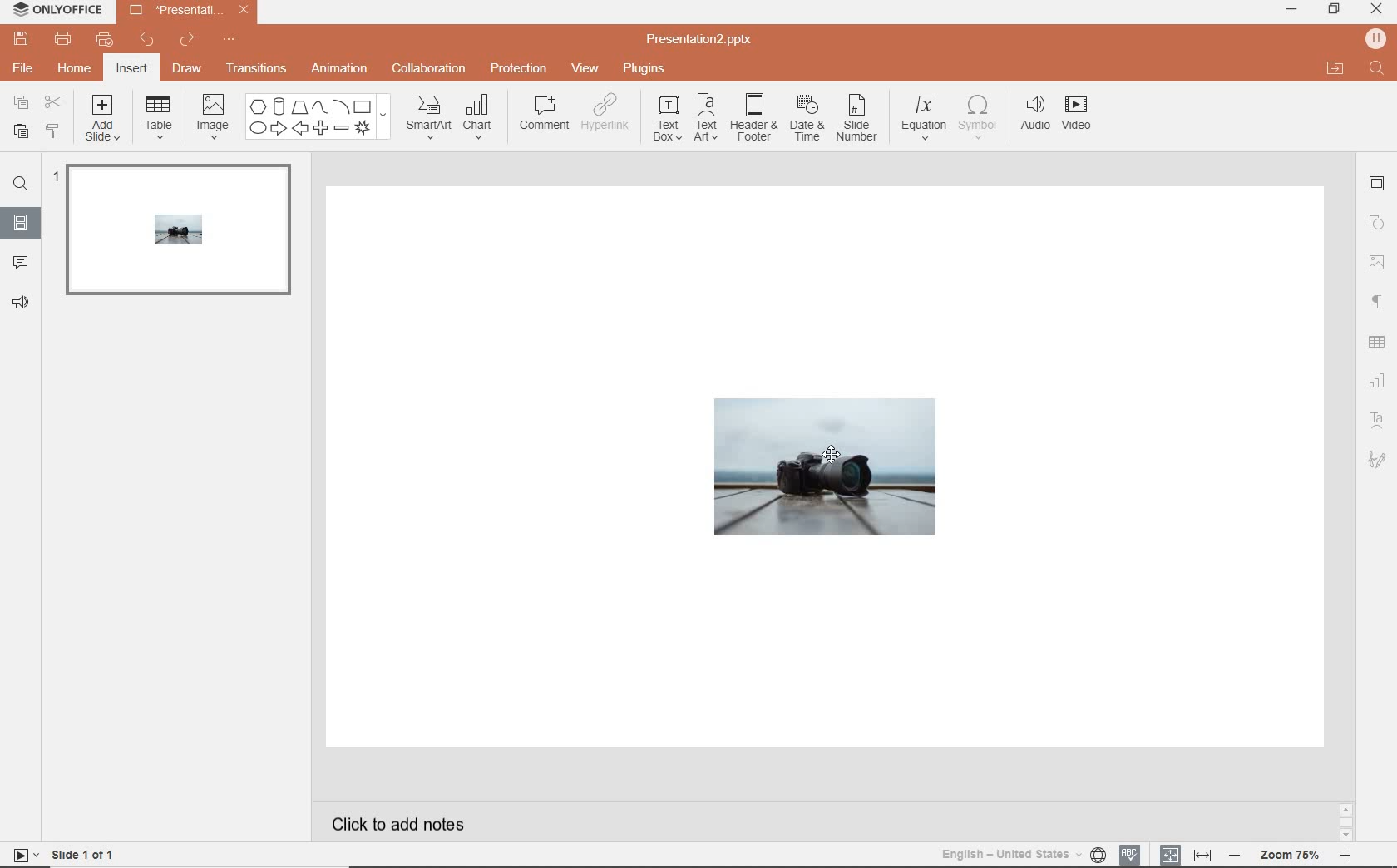 The image size is (1397, 868). What do you see at coordinates (133, 68) in the screenshot?
I see `insert` at bounding box center [133, 68].